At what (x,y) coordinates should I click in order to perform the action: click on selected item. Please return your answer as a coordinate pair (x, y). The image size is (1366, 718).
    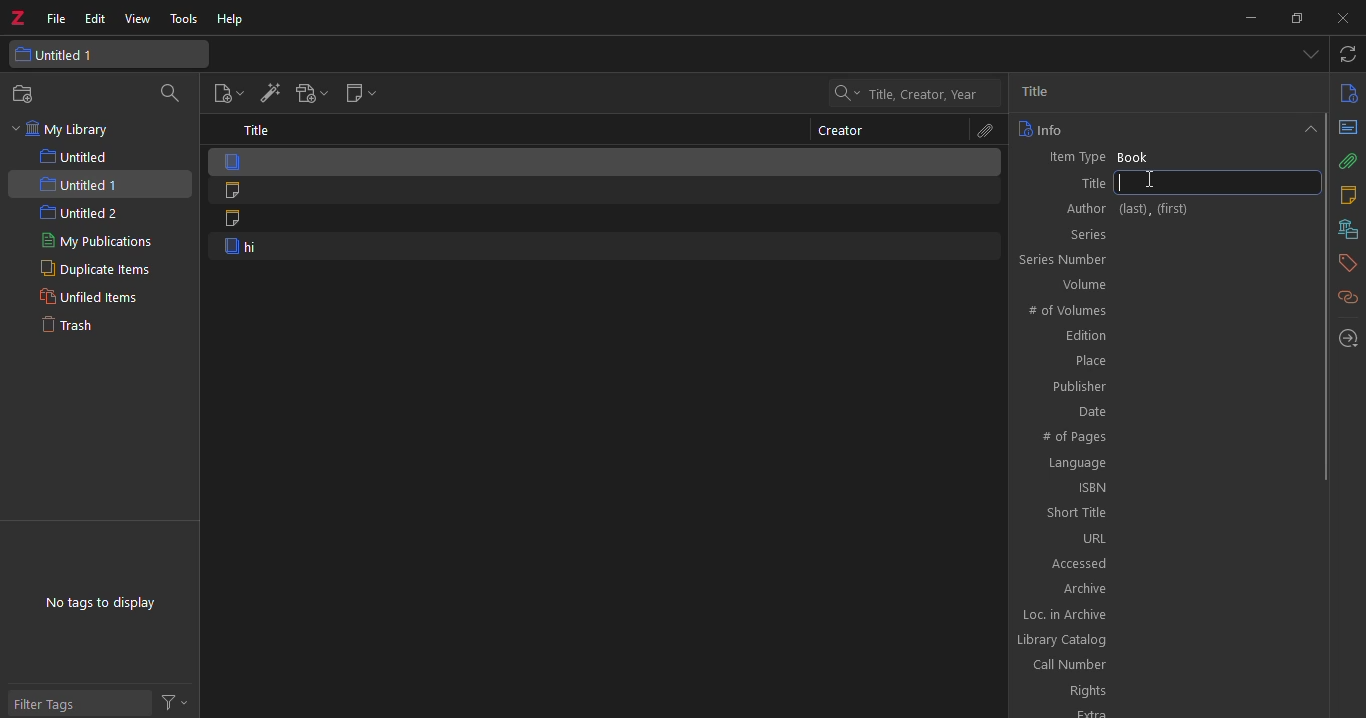
    Looking at the image, I should click on (606, 161).